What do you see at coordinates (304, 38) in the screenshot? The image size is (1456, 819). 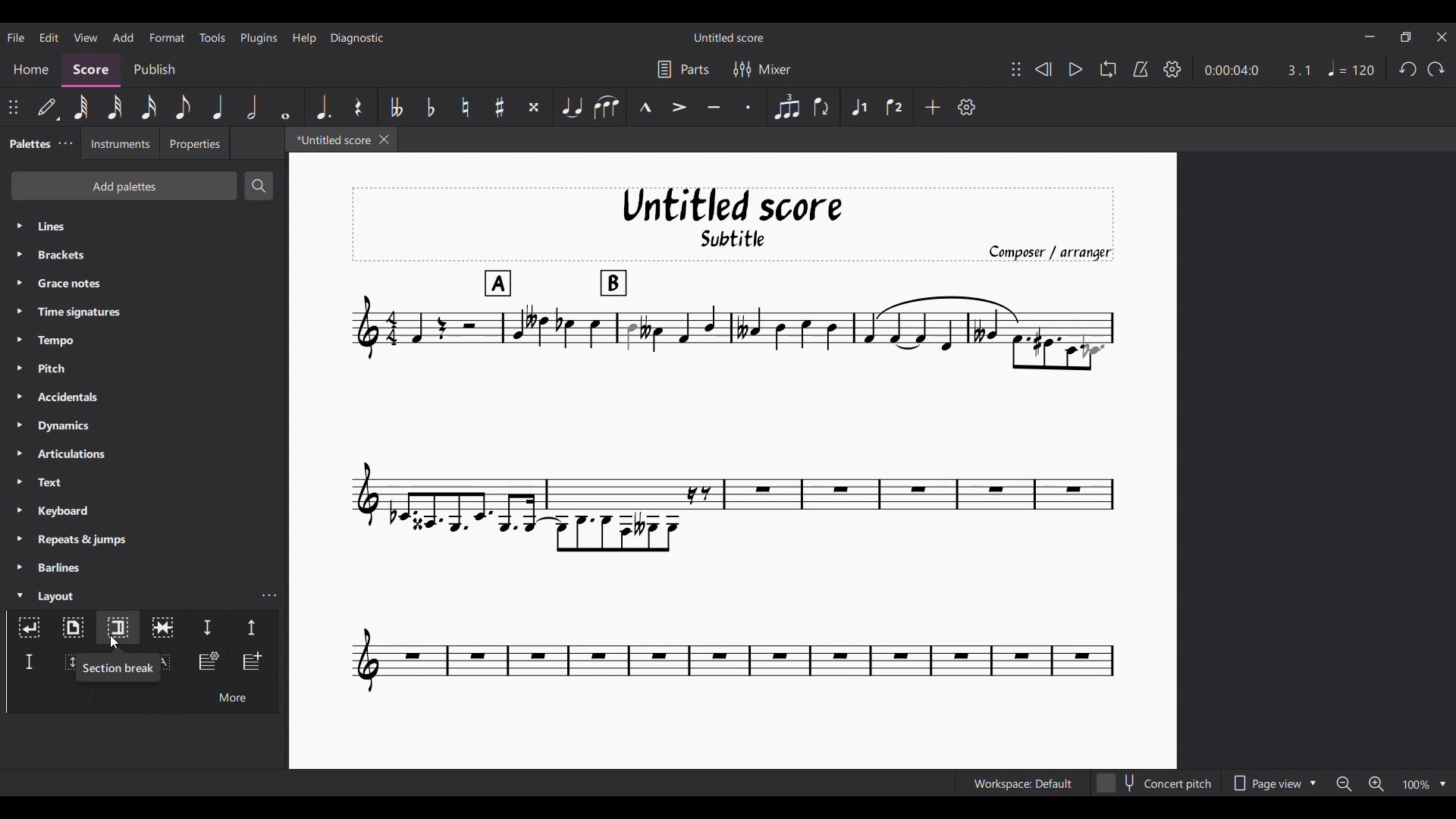 I see `Help menu` at bounding box center [304, 38].